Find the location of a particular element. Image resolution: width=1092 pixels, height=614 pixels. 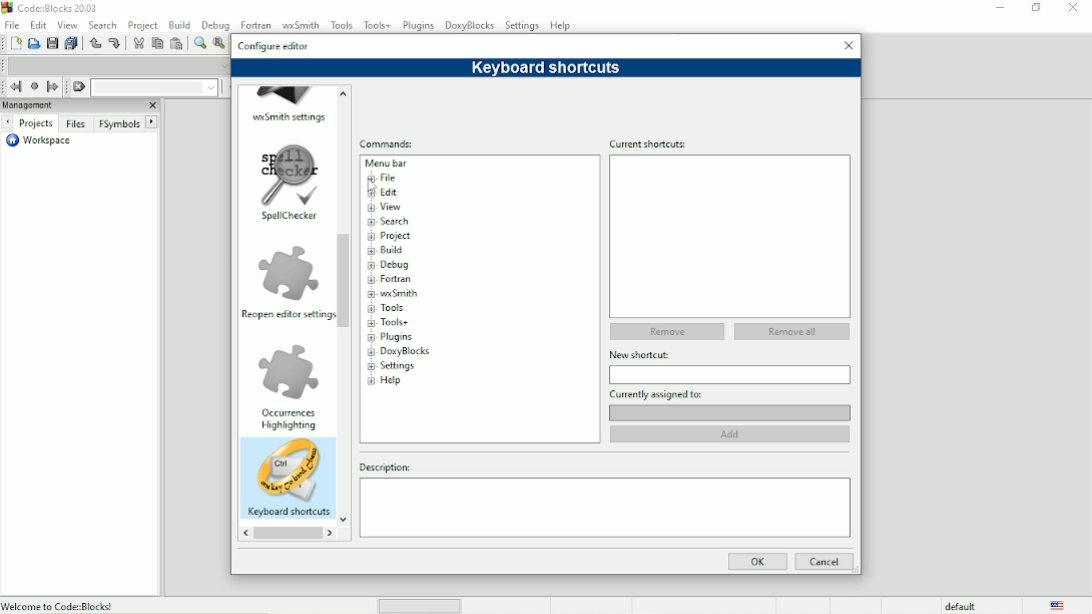

Drop down is located at coordinates (210, 88).